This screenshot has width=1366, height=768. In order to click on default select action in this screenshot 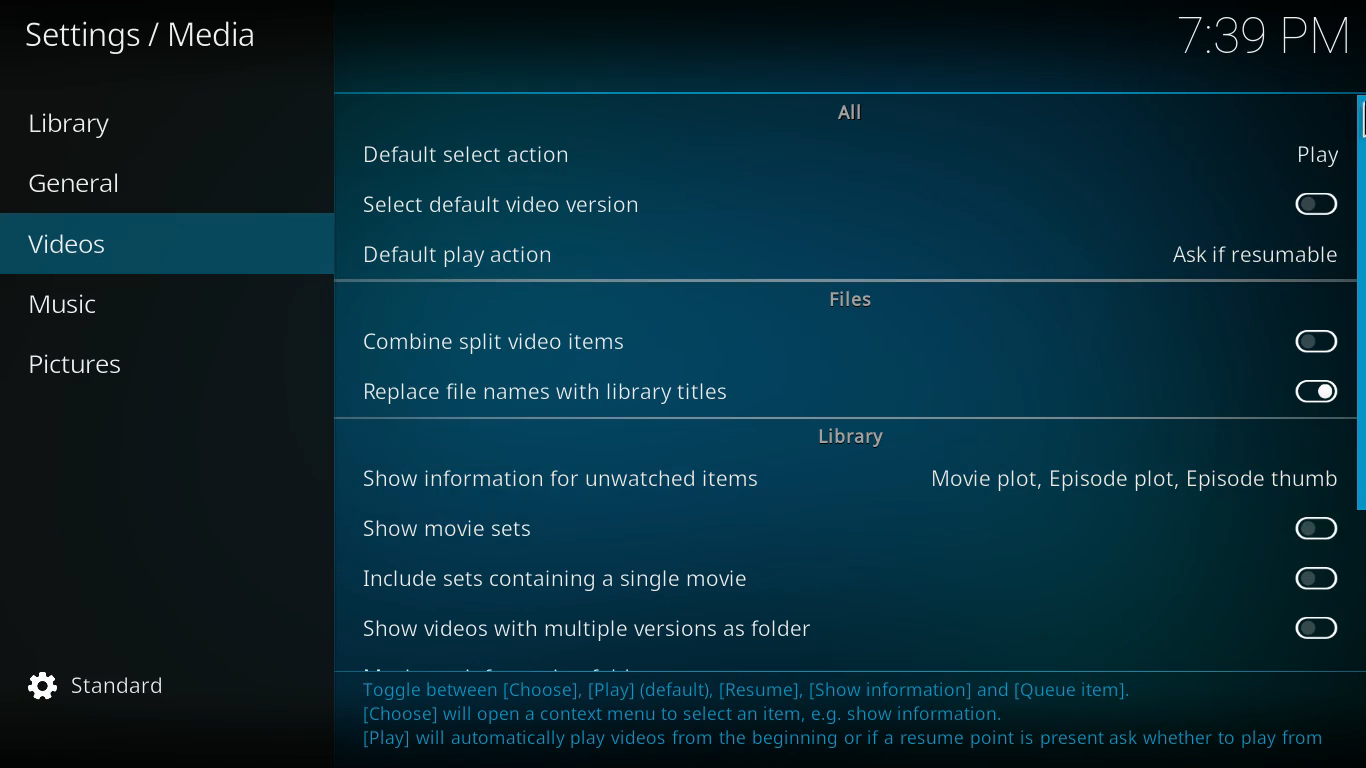, I will do `click(488, 151)`.